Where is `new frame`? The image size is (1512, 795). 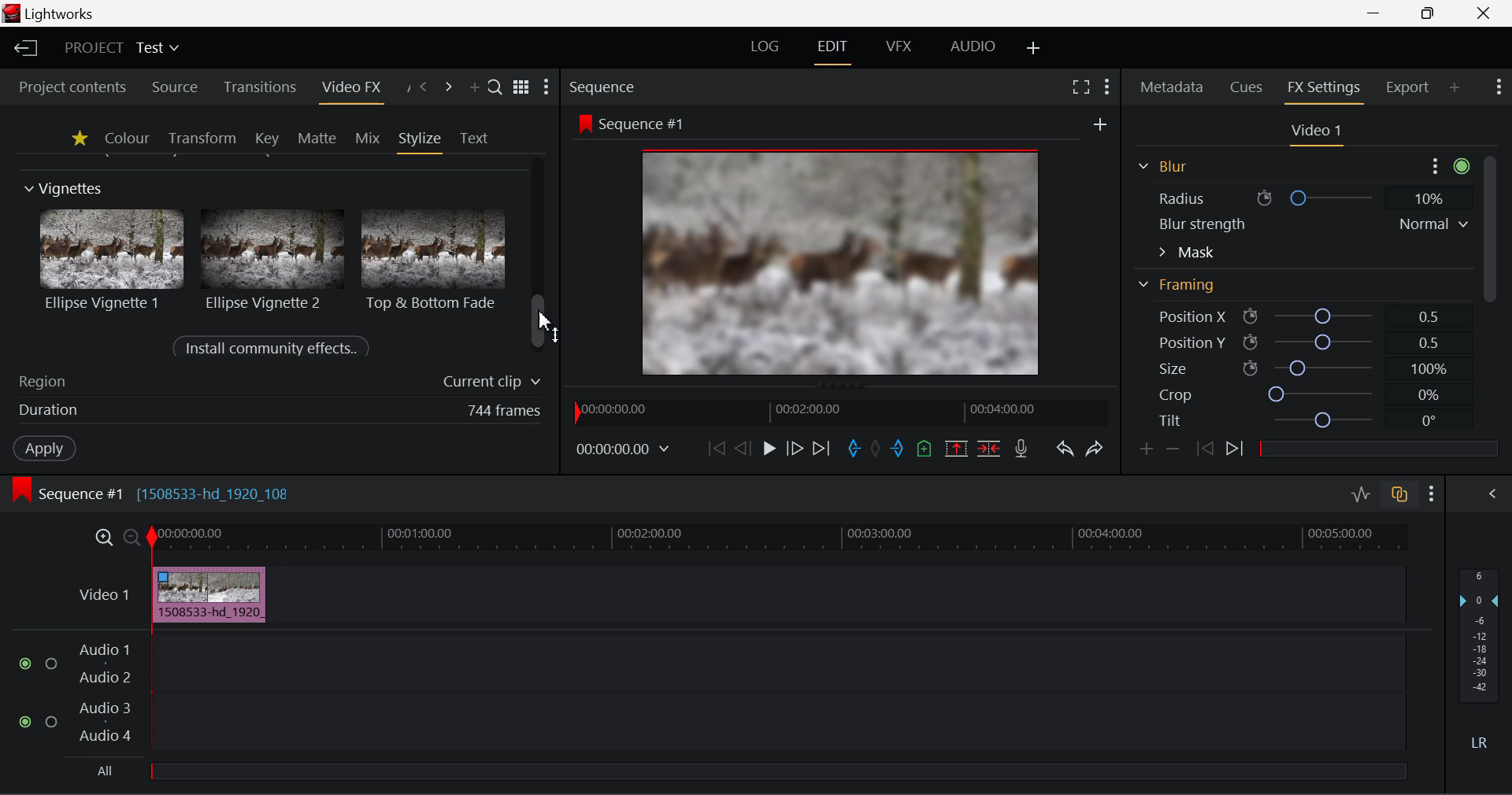 new frame is located at coordinates (1102, 124).